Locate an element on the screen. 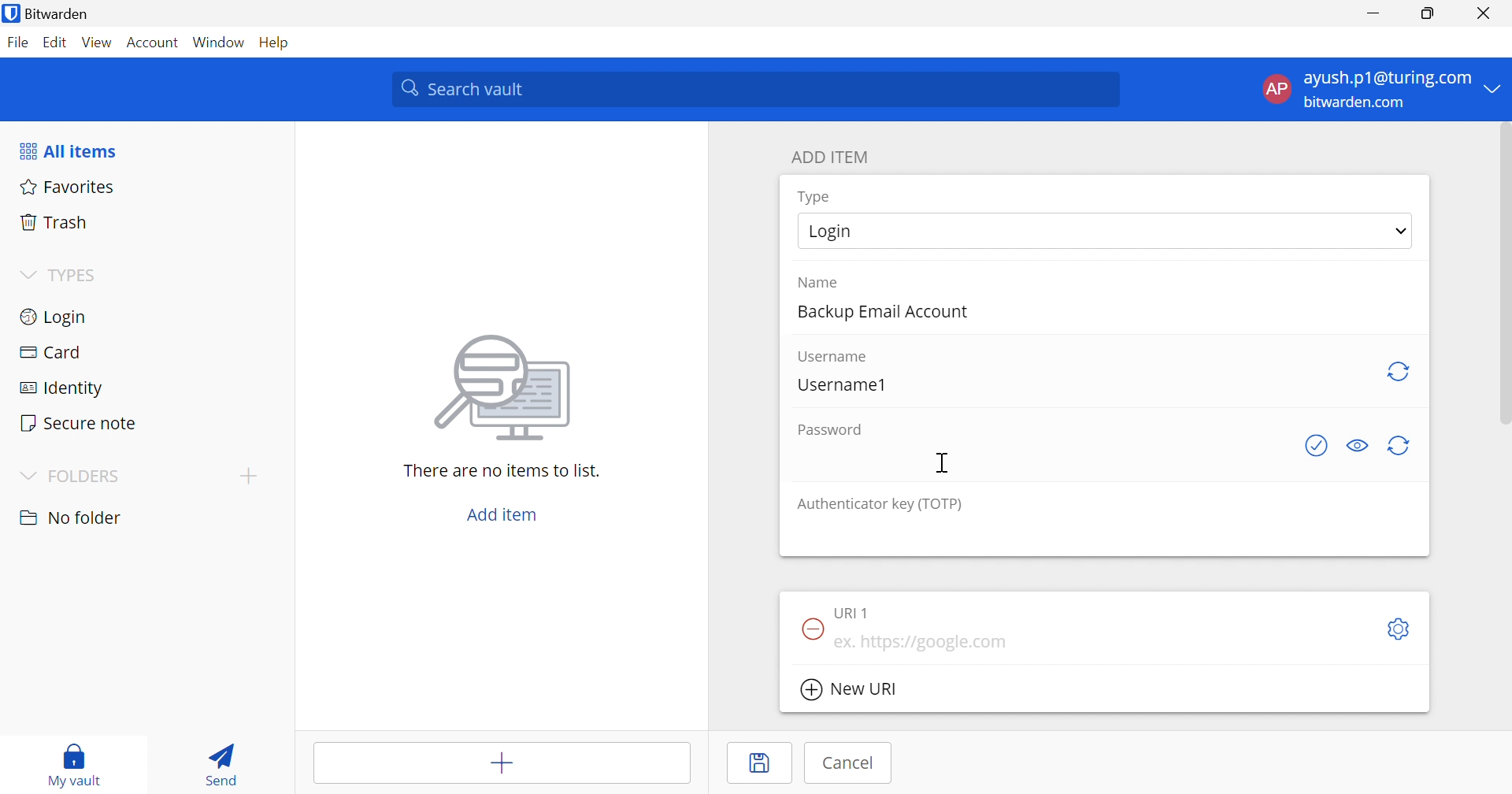 Image resolution: width=1512 pixels, height=794 pixels. URL 1 is located at coordinates (853, 613).